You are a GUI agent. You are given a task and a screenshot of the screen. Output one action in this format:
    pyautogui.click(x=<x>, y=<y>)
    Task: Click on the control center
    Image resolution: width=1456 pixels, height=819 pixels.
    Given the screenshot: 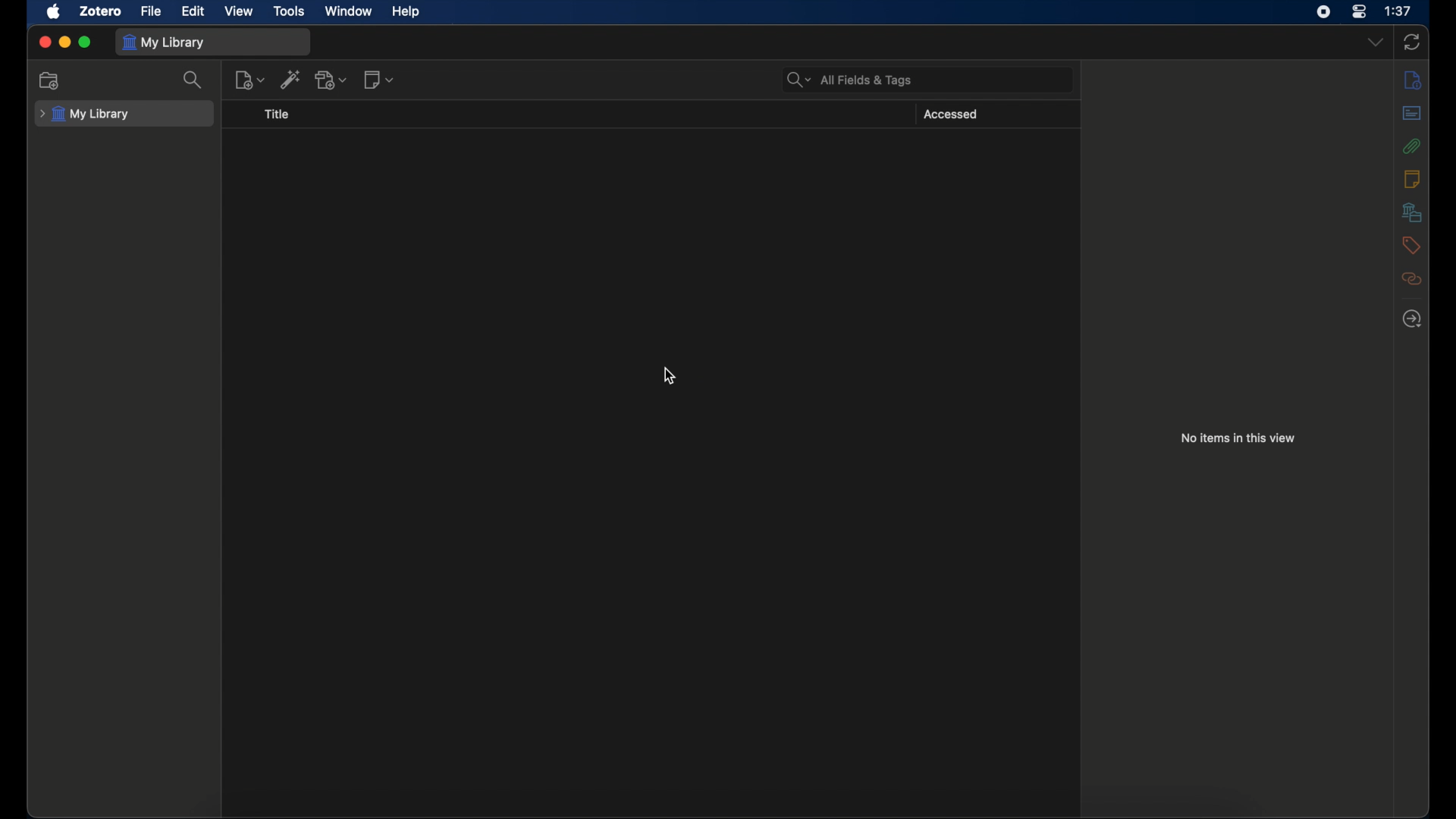 What is the action you would take?
    pyautogui.click(x=1359, y=11)
    